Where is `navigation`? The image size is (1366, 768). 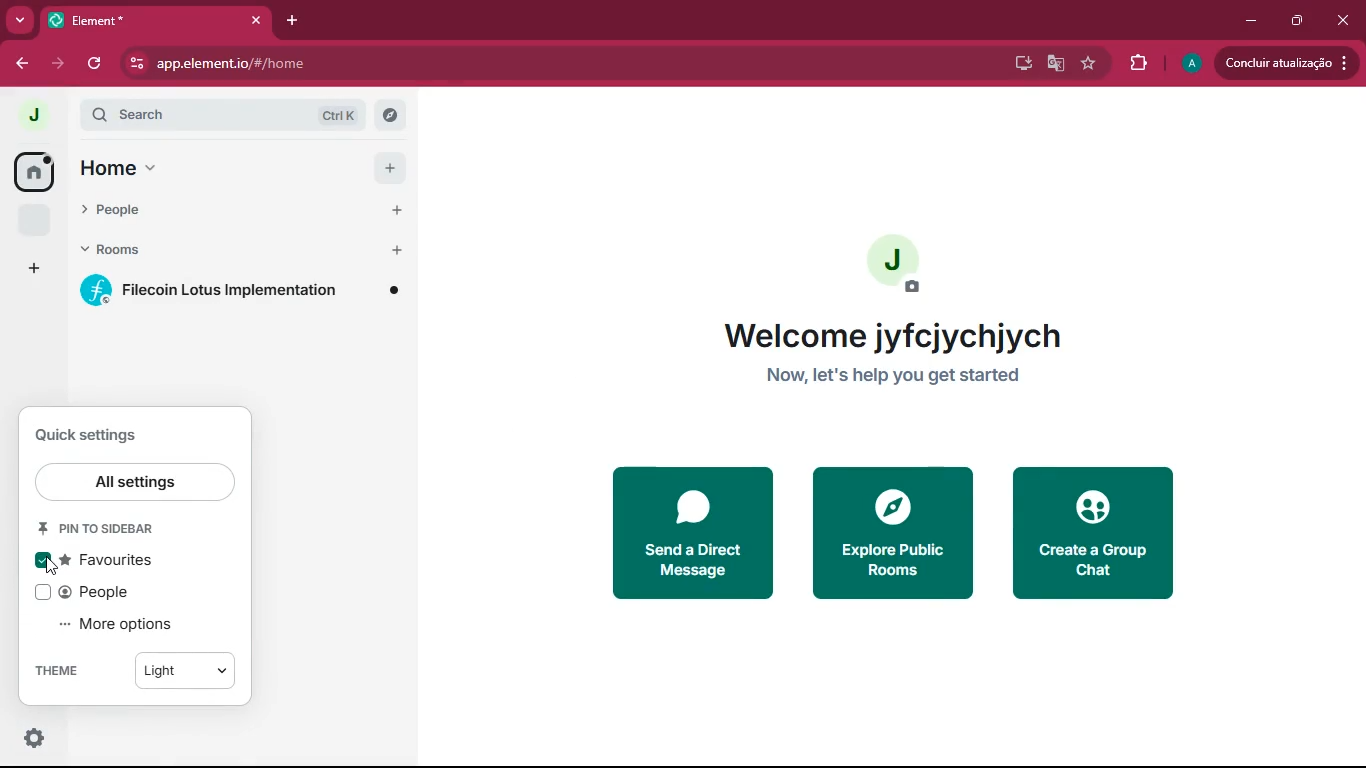
navigation is located at coordinates (1088, 64).